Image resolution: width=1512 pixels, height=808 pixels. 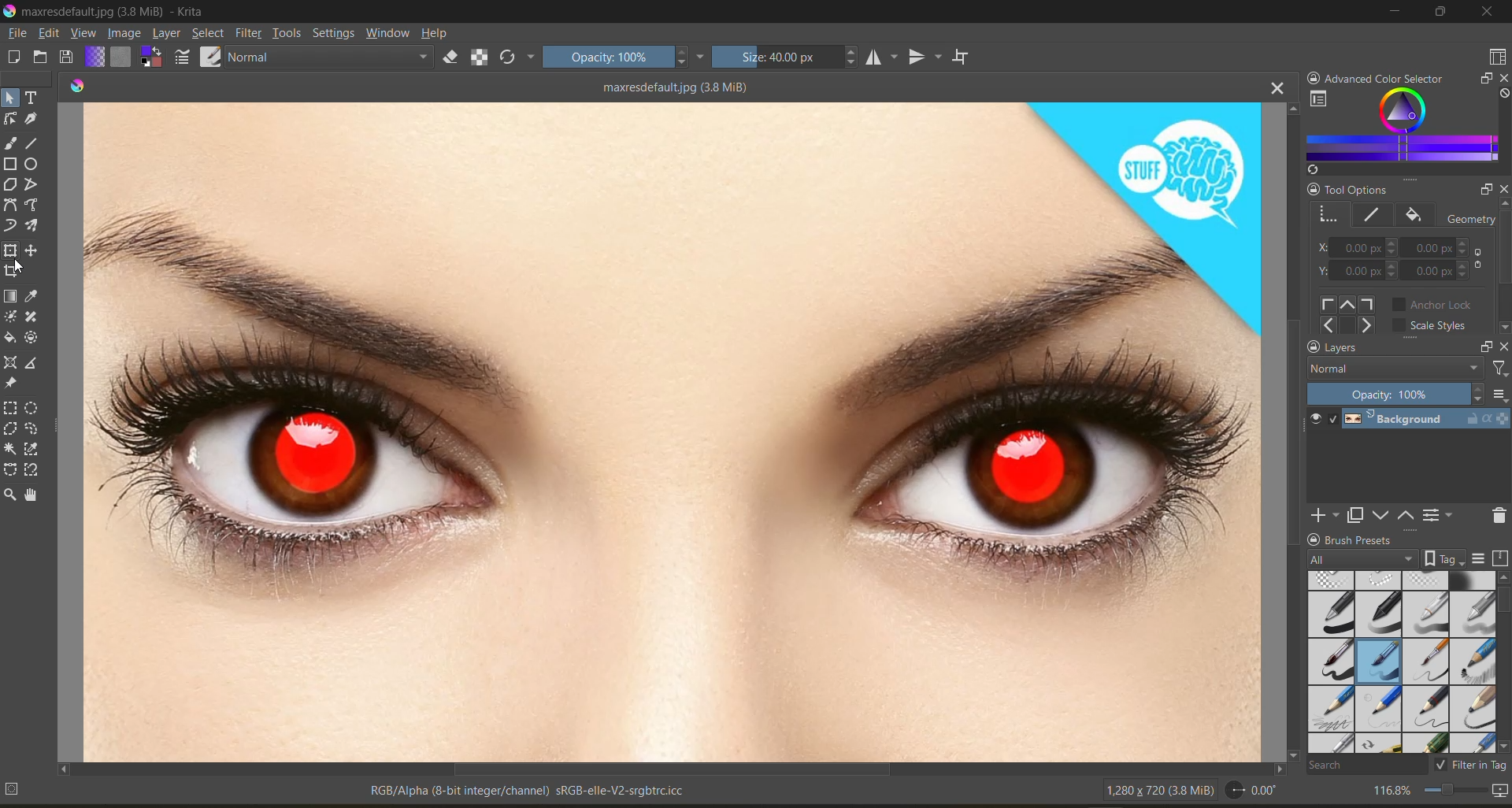 I want to click on rotate canvas, so click(x=1256, y=793).